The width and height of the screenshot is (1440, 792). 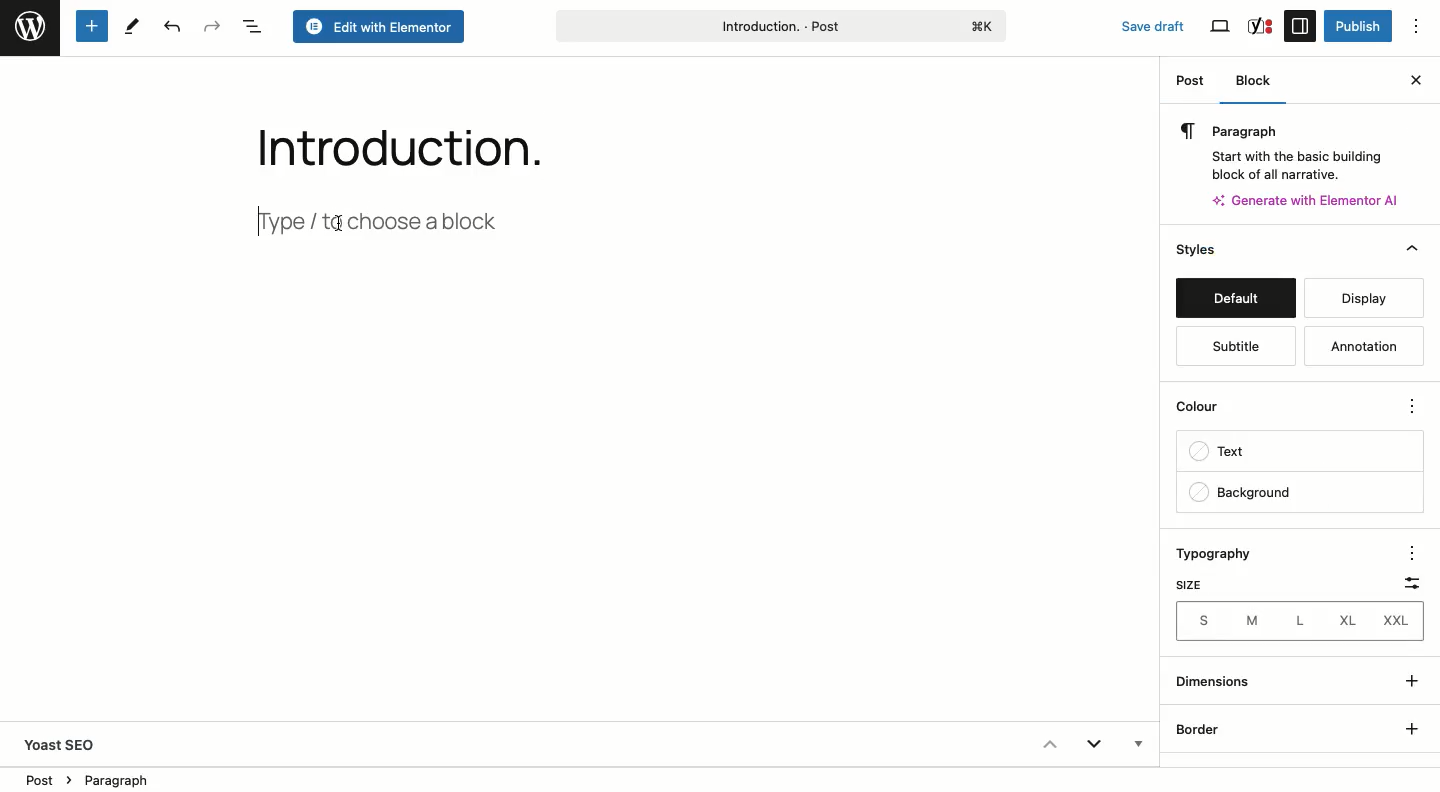 I want to click on Introduction title, so click(x=780, y=24).